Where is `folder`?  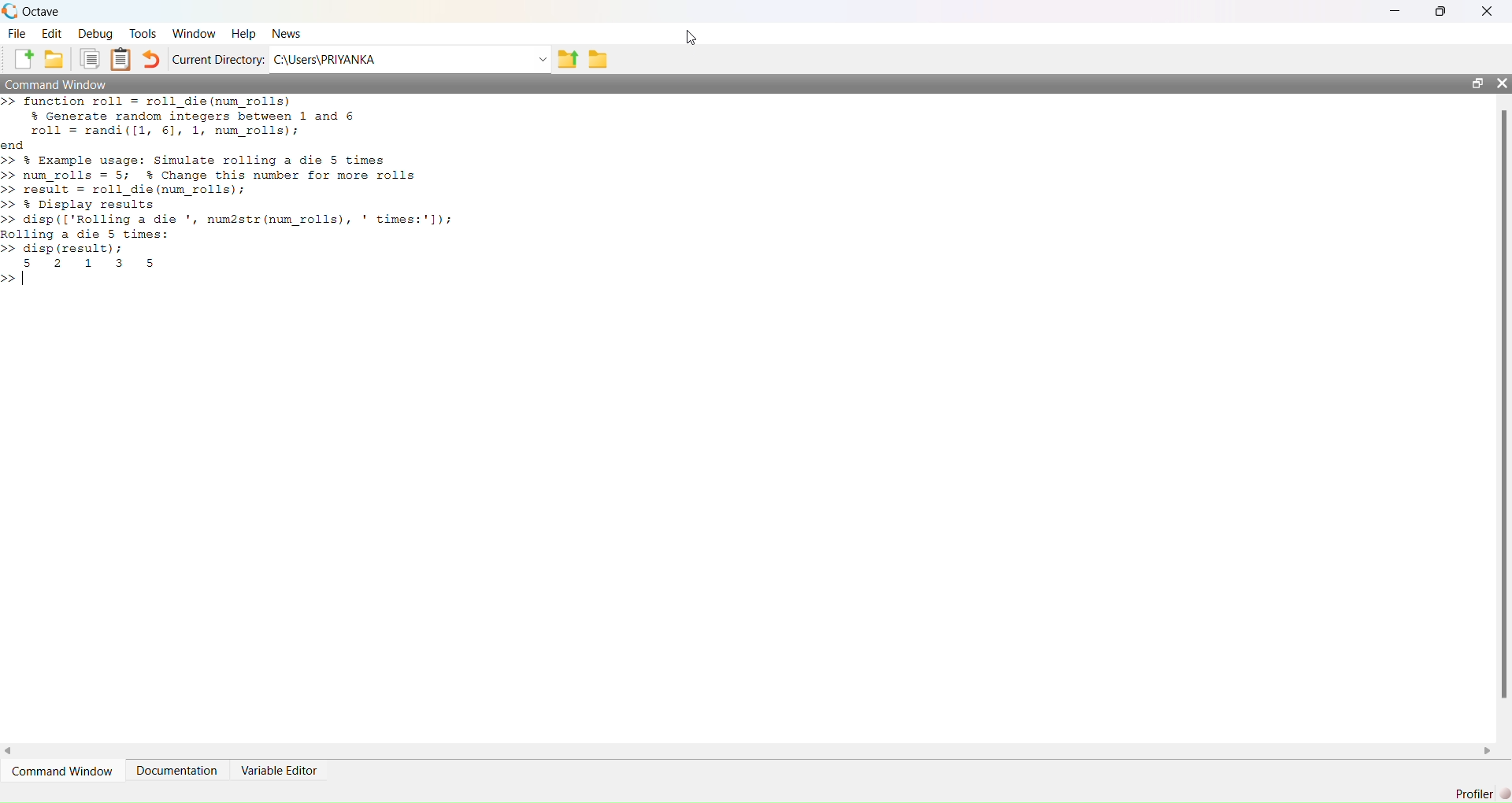 folder is located at coordinates (600, 60).